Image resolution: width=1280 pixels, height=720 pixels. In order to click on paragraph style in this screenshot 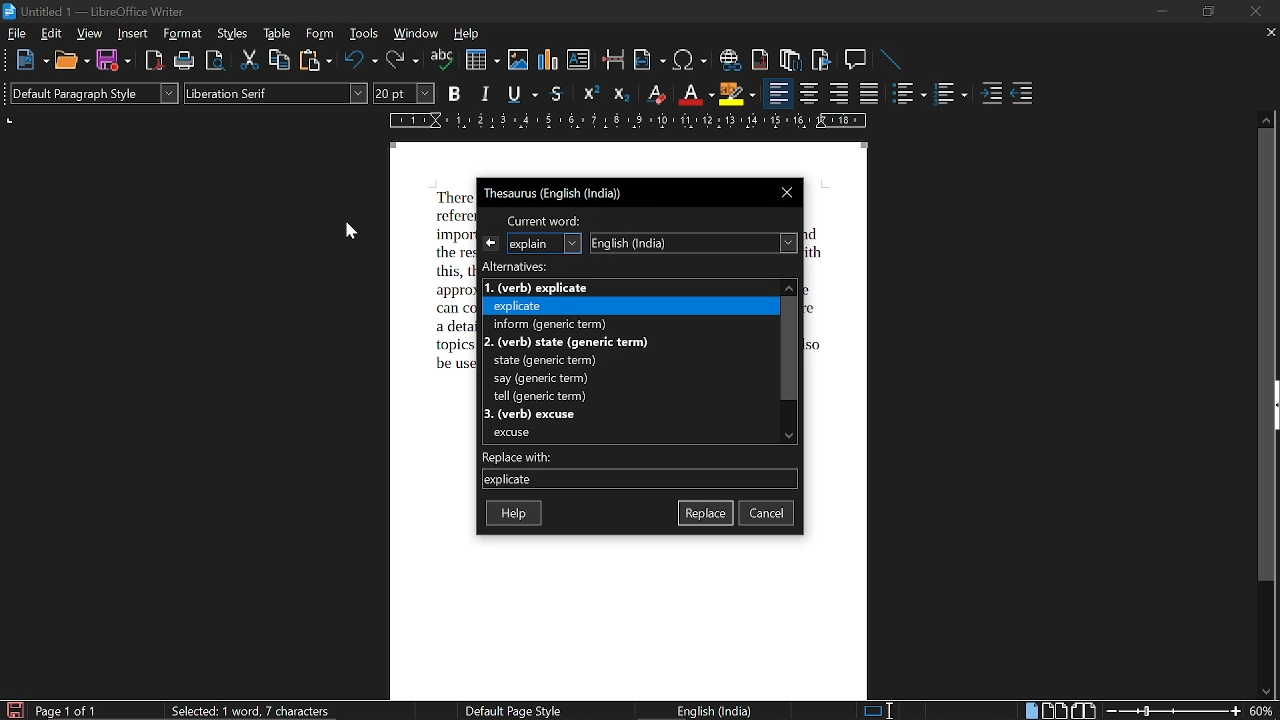, I will do `click(96, 95)`.